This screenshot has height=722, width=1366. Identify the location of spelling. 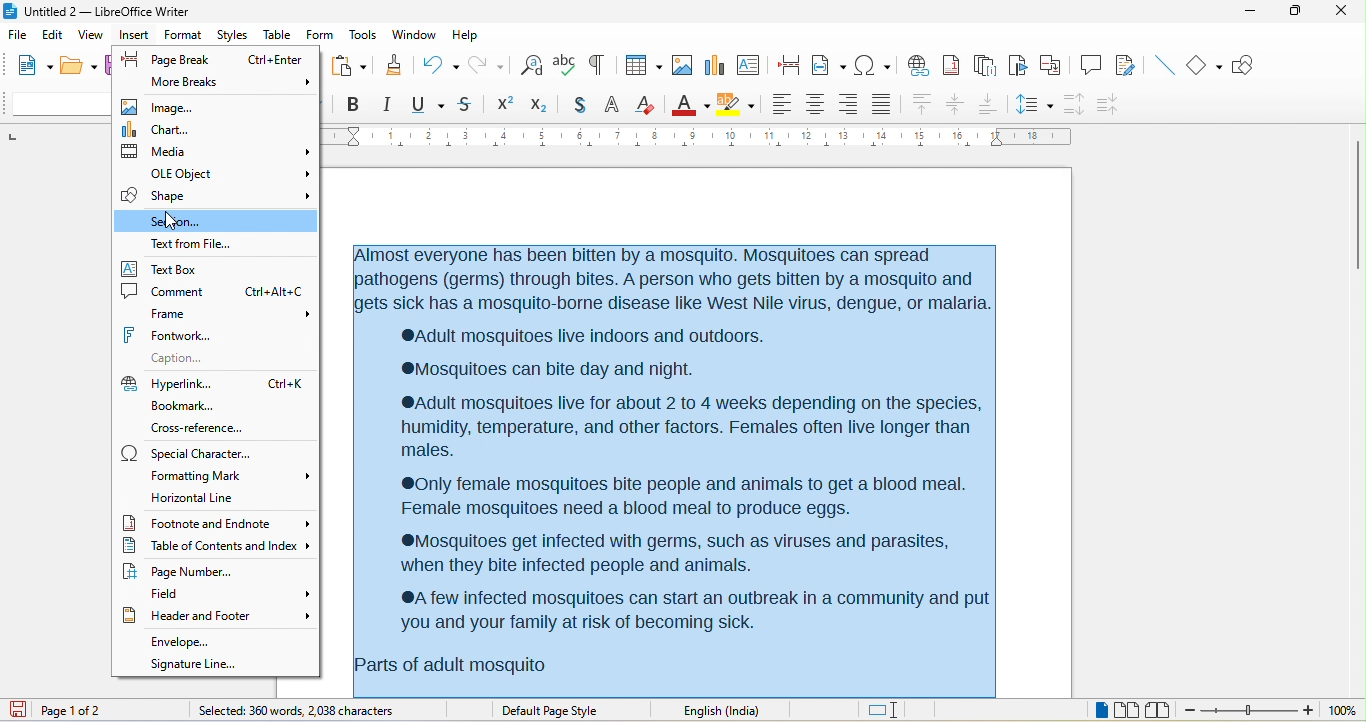
(567, 66).